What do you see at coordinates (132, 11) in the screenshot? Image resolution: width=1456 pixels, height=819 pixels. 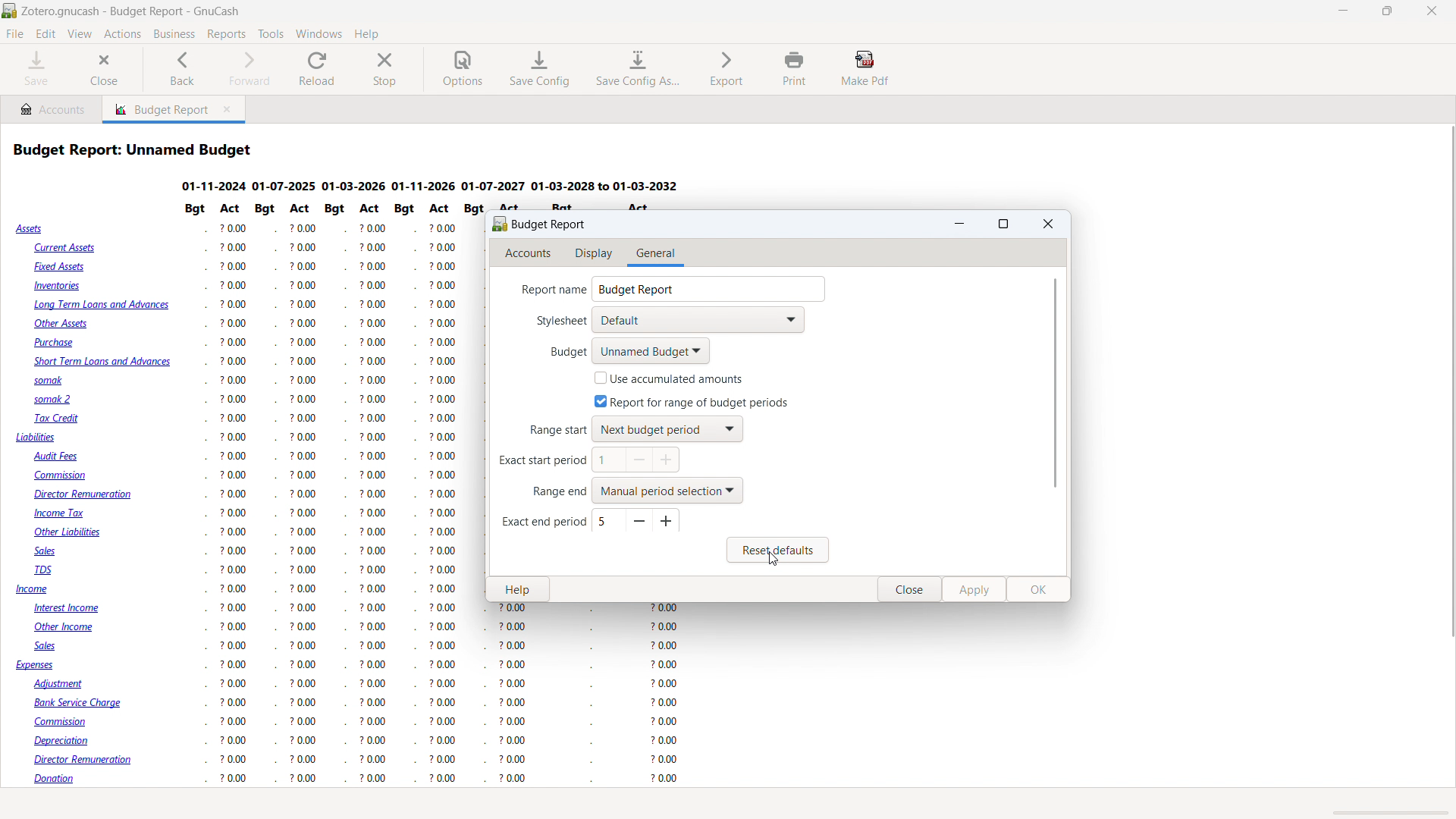 I see `title` at bounding box center [132, 11].